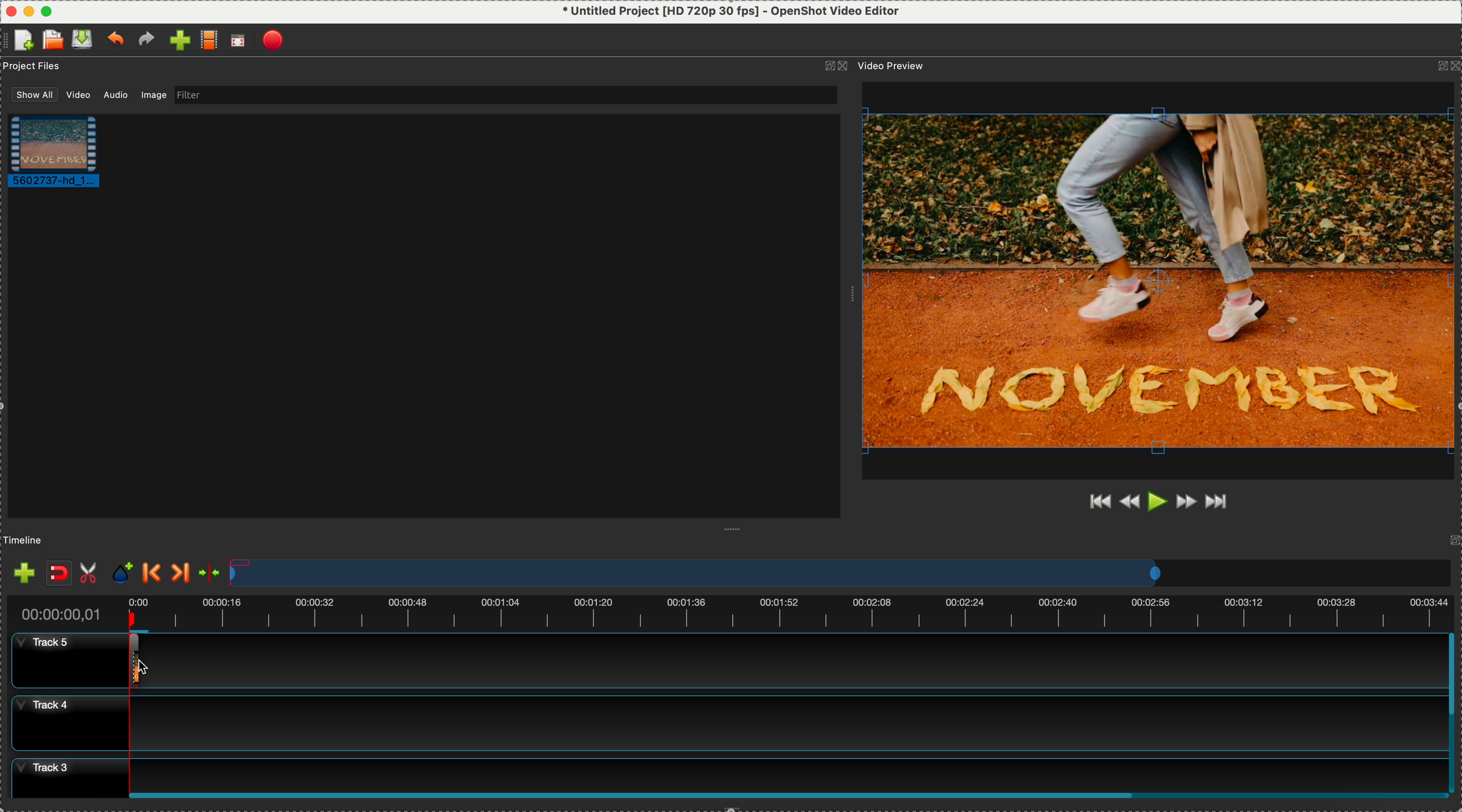 The image size is (1462, 812). What do you see at coordinates (506, 95) in the screenshot?
I see `filter` at bounding box center [506, 95].